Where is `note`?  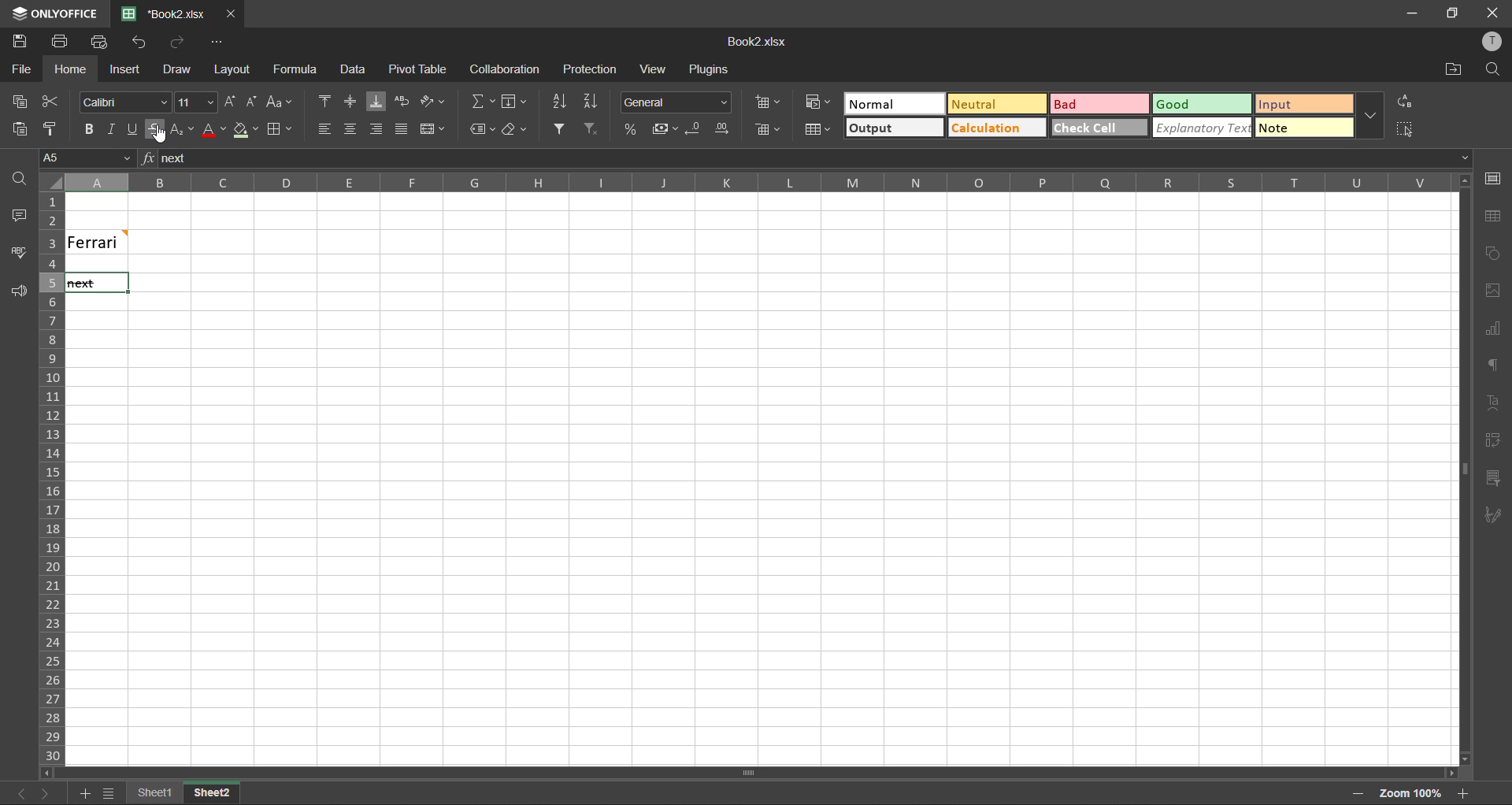 note is located at coordinates (1304, 126).